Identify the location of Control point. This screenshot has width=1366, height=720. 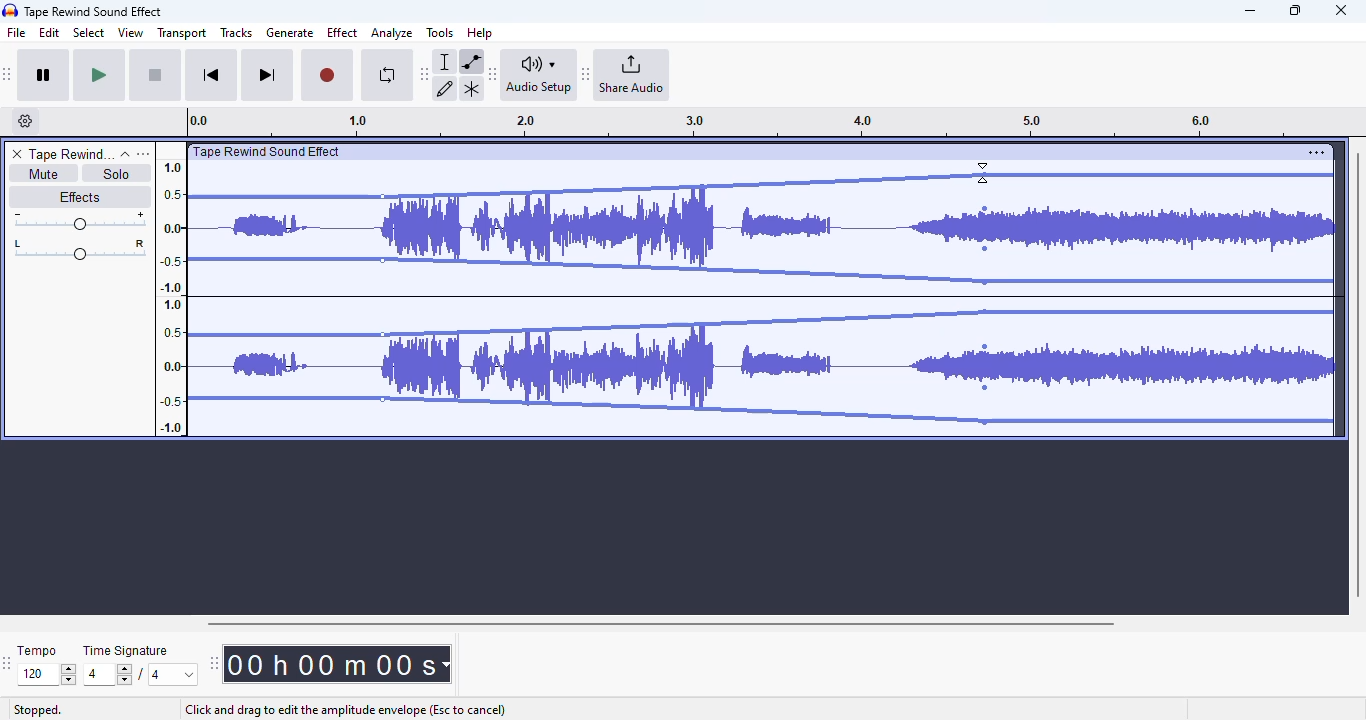
(985, 209).